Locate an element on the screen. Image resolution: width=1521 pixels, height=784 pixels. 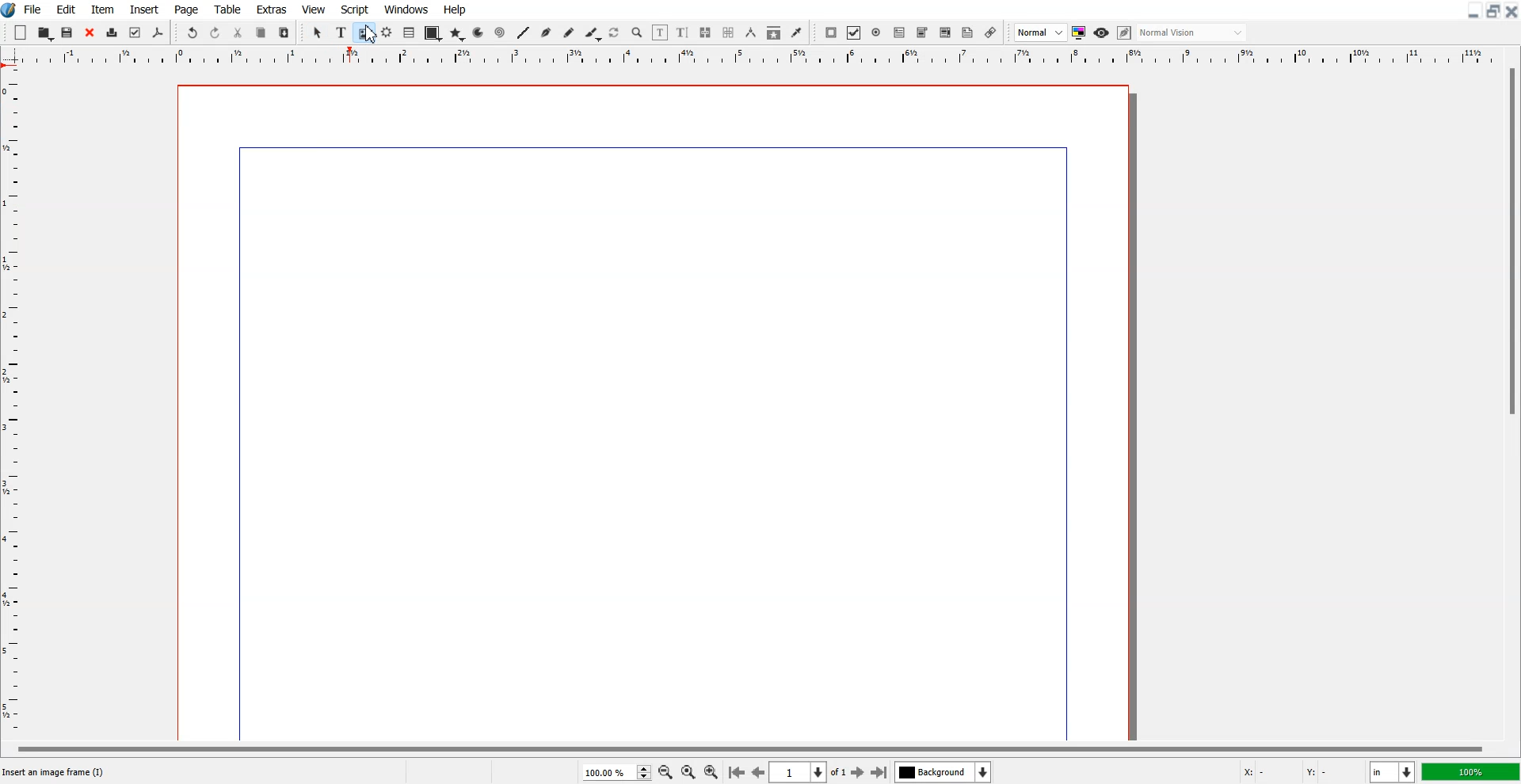
Text Frame is located at coordinates (341, 32).